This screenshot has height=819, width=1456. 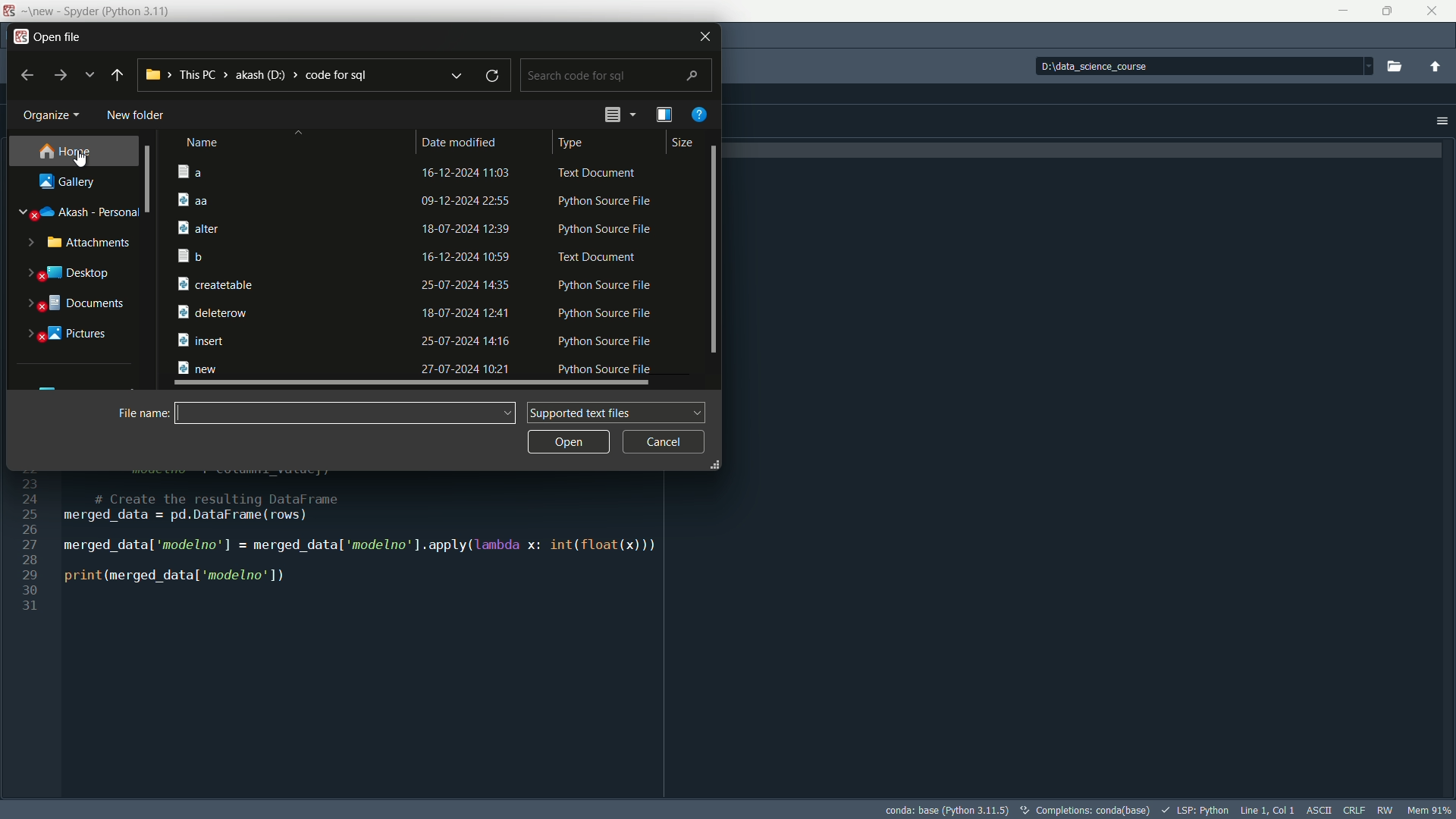 I want to click on directory, so click(x=1130, y=65).